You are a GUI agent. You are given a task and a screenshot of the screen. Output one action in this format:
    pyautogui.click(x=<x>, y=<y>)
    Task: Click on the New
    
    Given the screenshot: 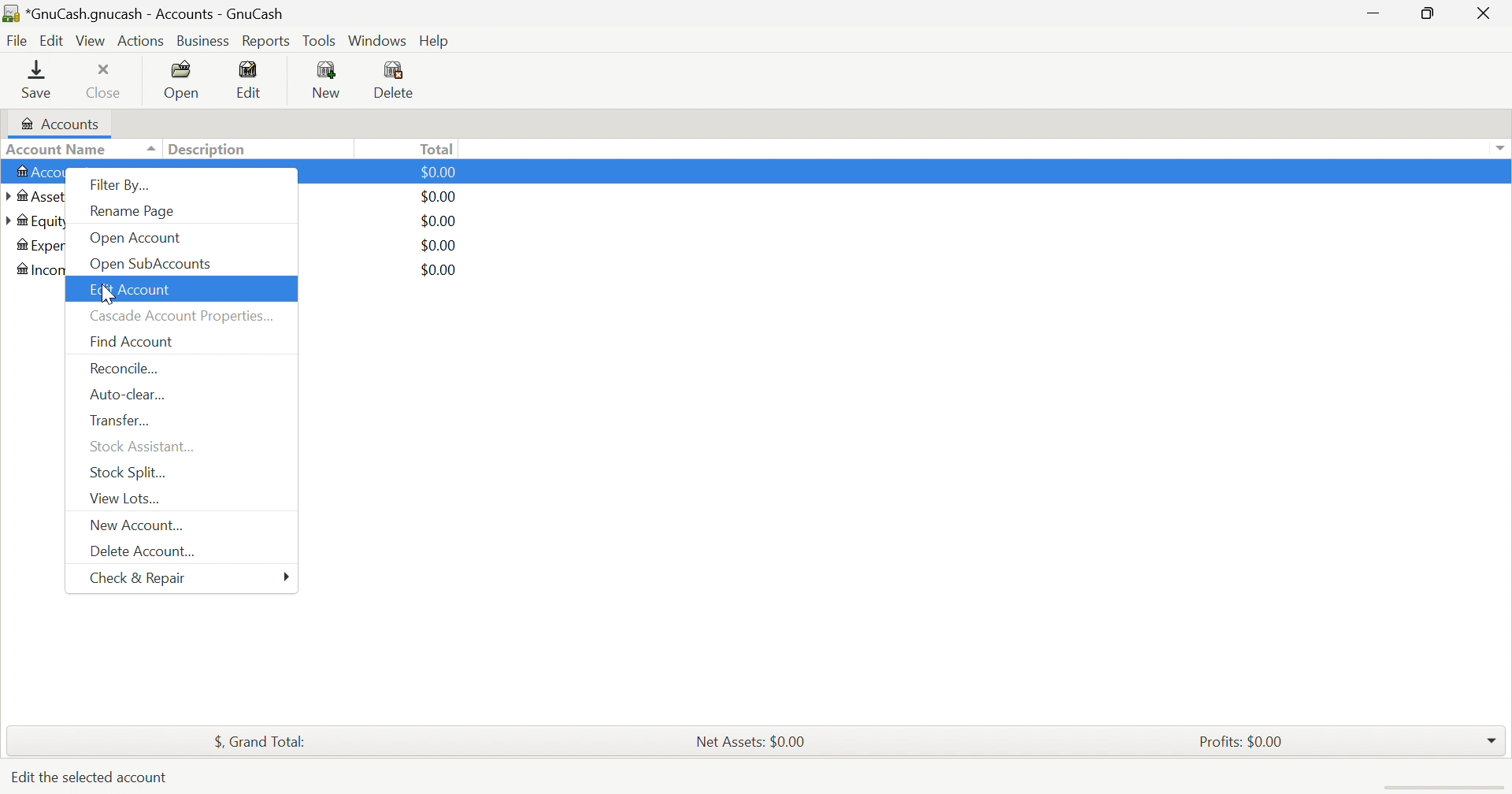 What is the action you would take?
    pyautogui.click(x=328, y=80)
    